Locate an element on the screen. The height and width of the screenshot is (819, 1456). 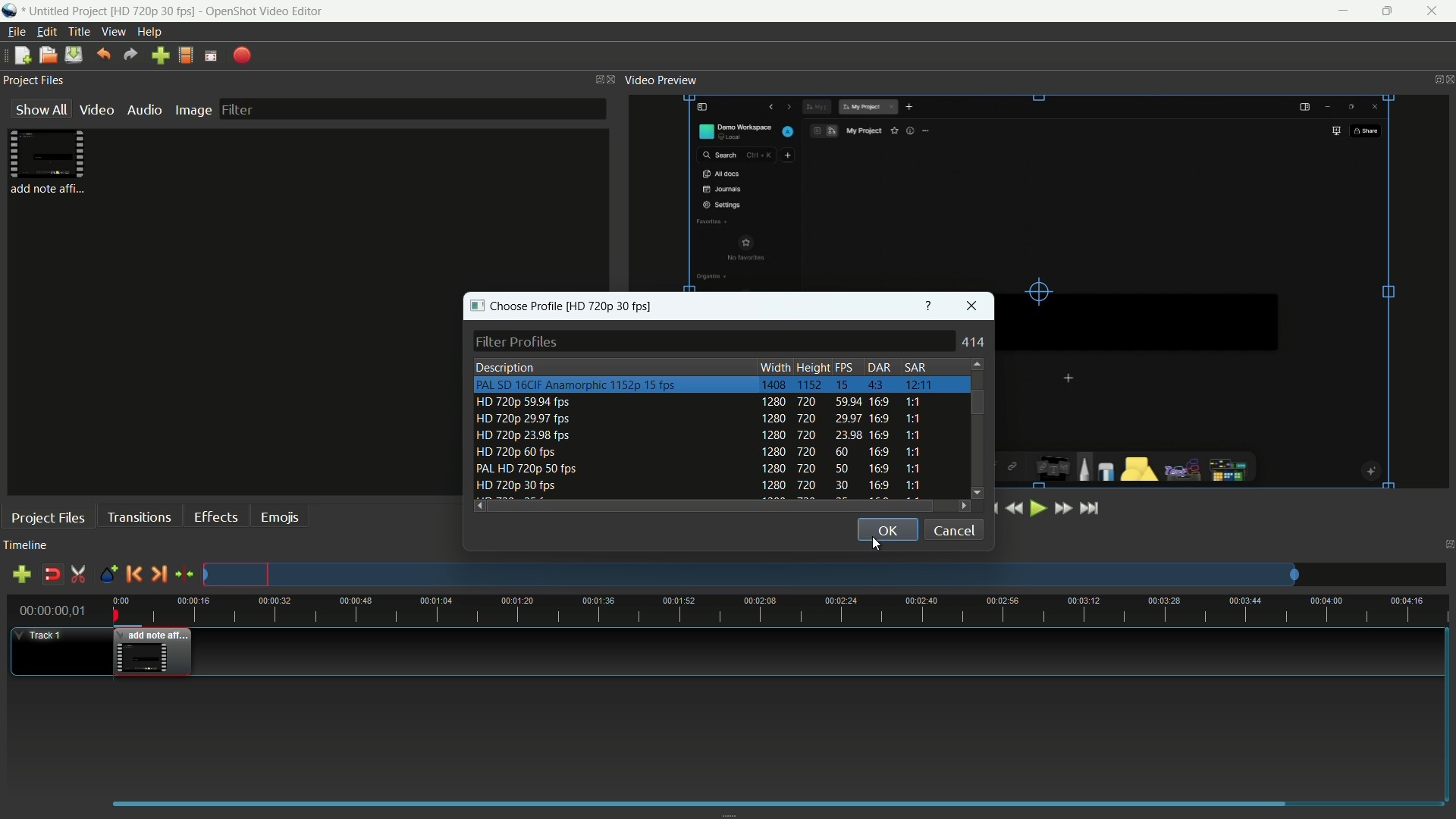
center the timeline on the playhead is located at coordinates (185, 575).